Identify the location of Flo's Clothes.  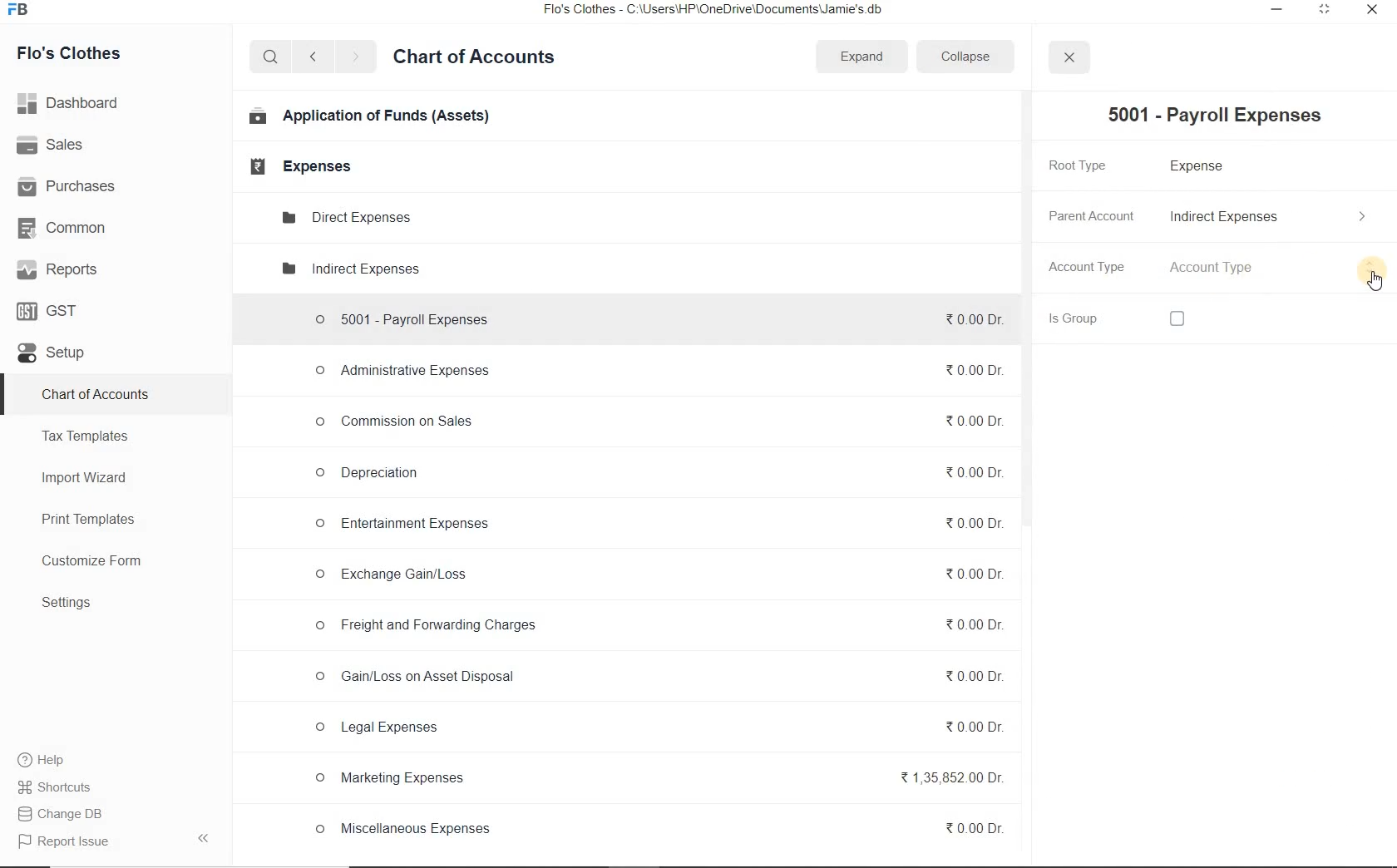
(71, 53).